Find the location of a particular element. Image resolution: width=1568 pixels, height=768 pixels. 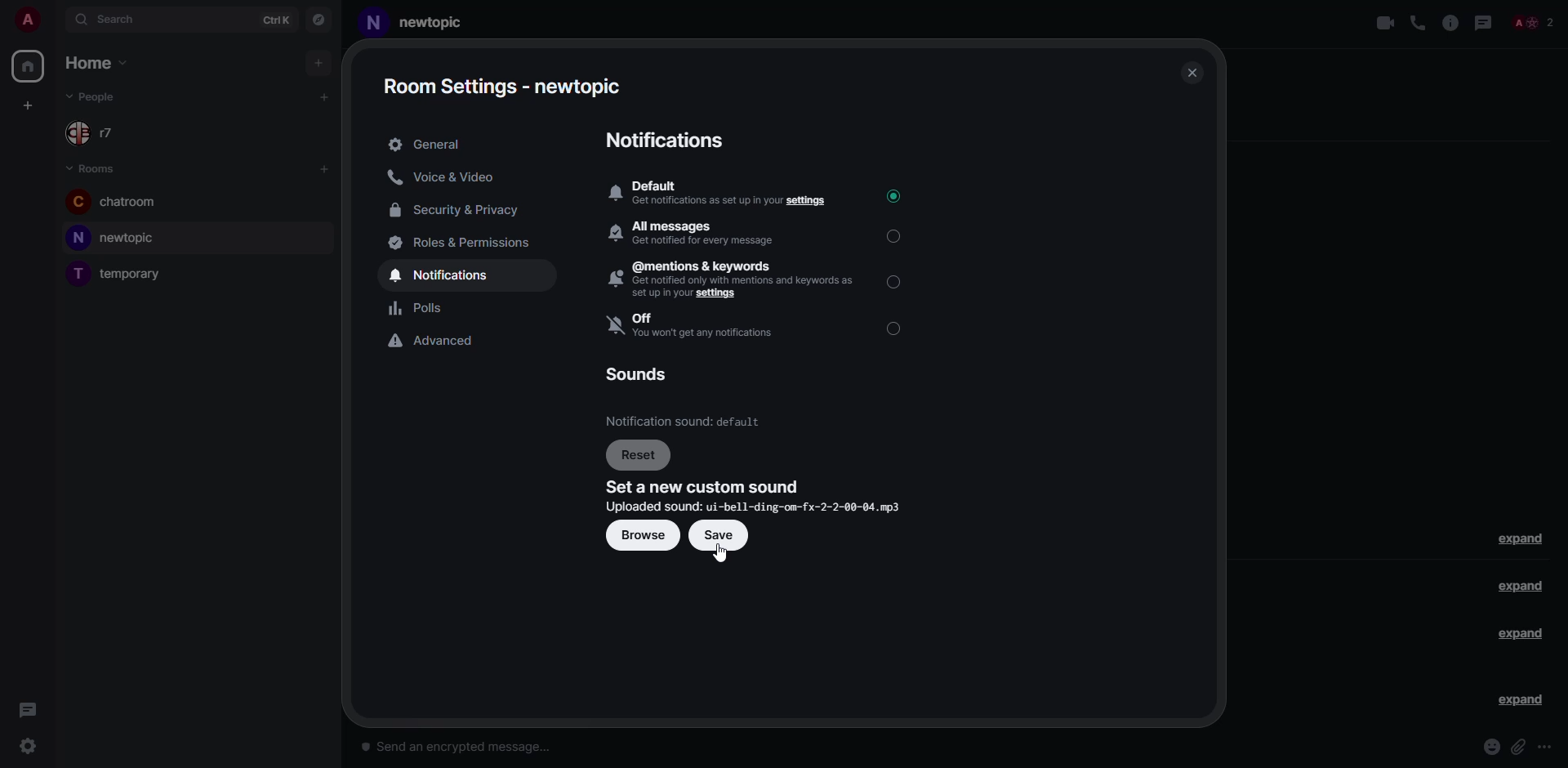

home is located at coordinates (28, 66).